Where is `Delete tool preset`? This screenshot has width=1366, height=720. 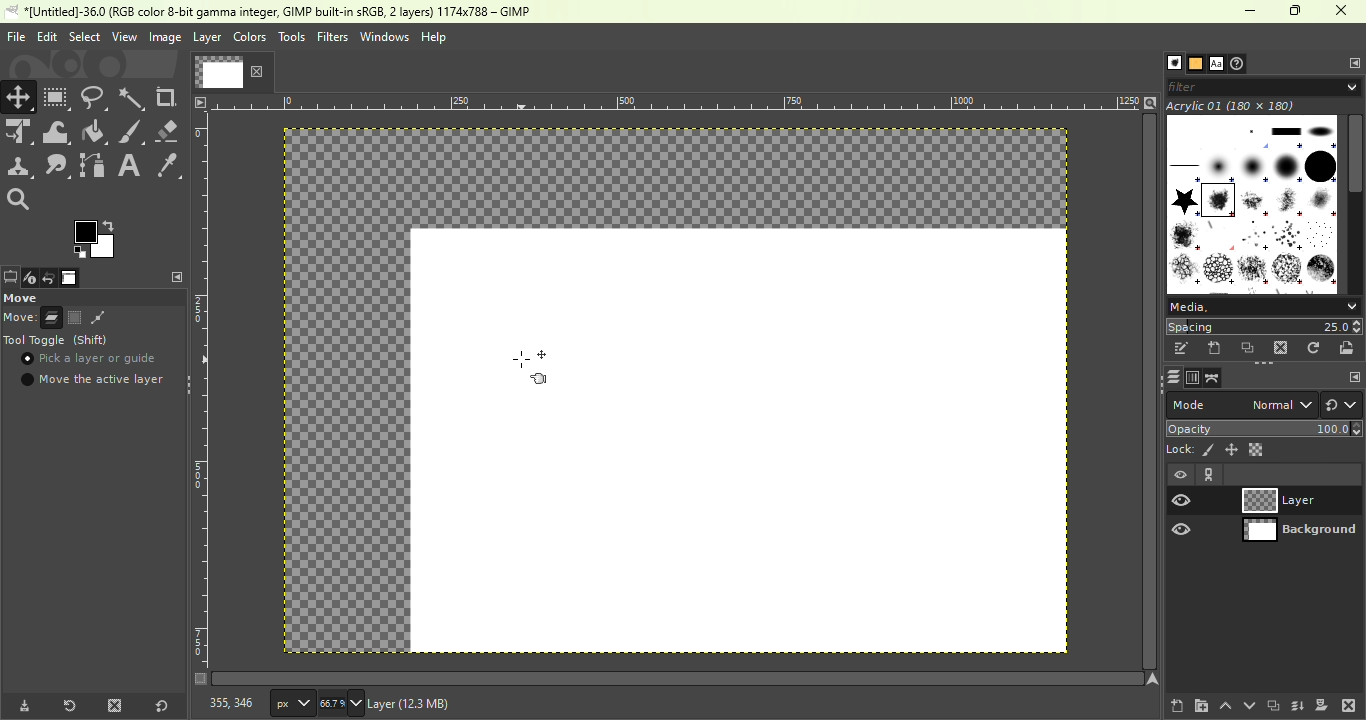 Delete tool preset is located at coordinates (114, 704).